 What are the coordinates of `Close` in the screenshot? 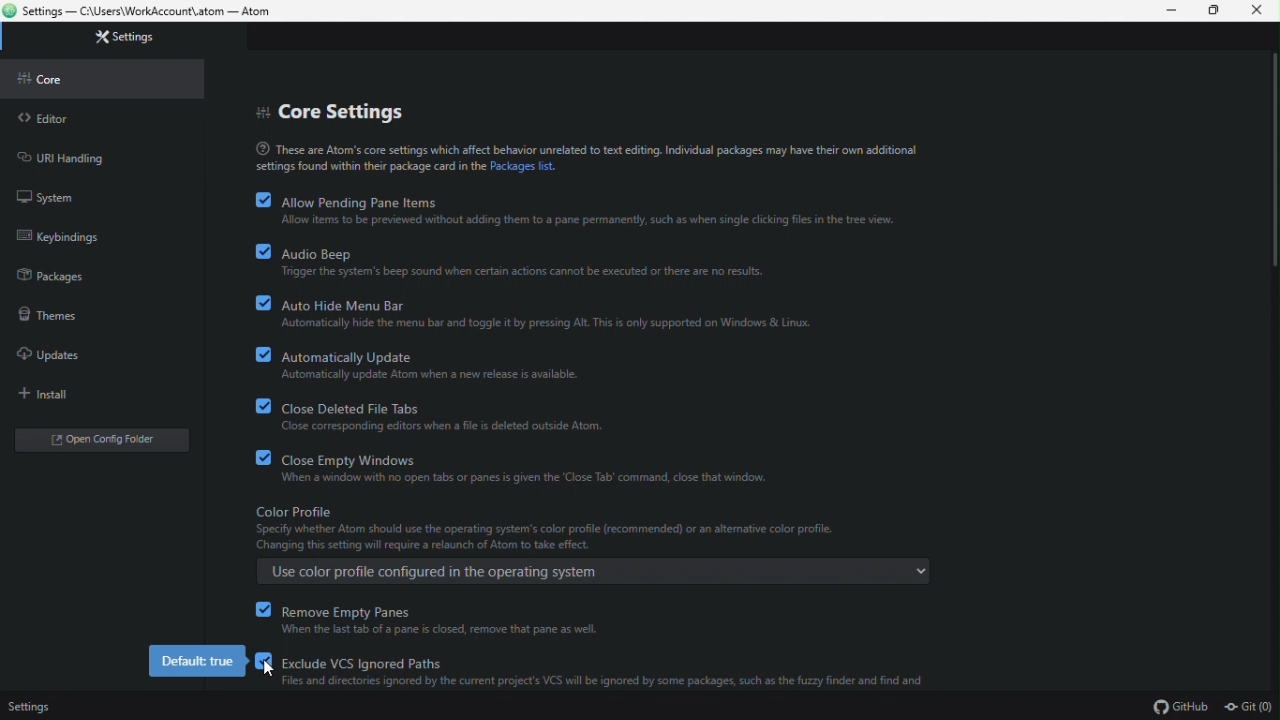 It's located at (1263, 13).